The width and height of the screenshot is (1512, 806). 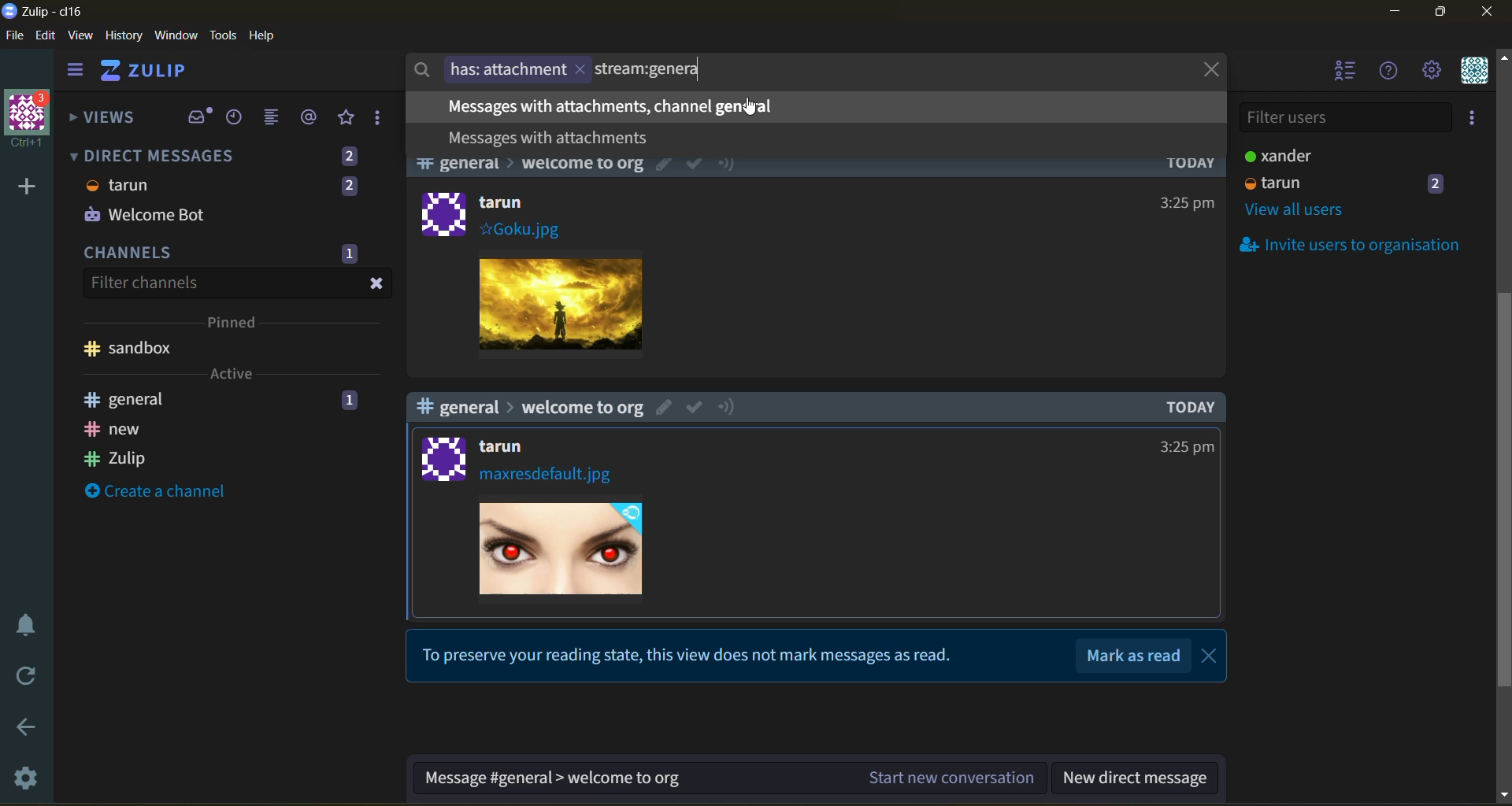 What do you see at coordinates (1343, 243) in the screenshot?
I see `invite users to organisation` at bounding box center [1343, 243].